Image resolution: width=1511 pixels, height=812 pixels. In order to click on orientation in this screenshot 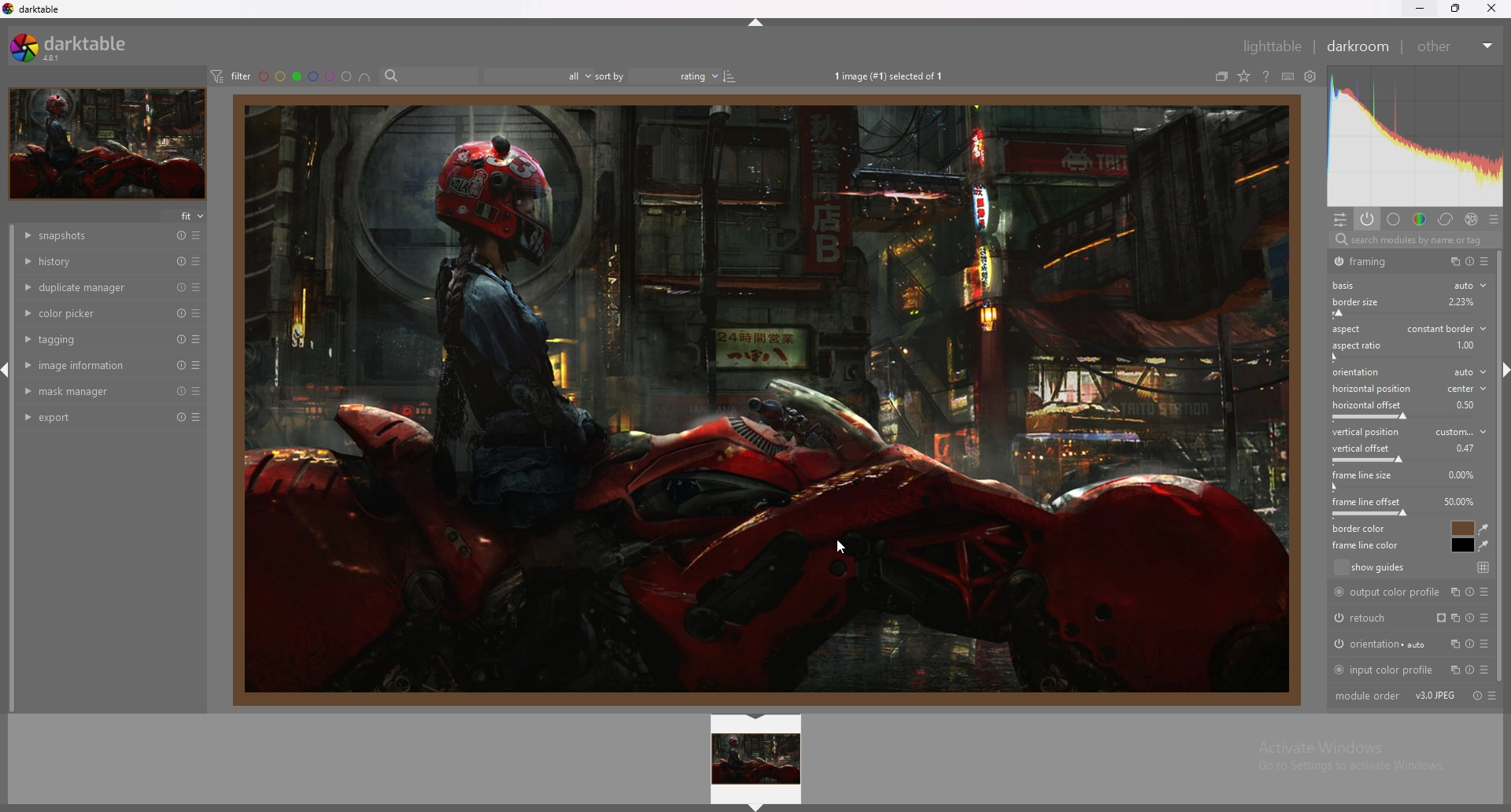, I will do `click(1409, 644)`.